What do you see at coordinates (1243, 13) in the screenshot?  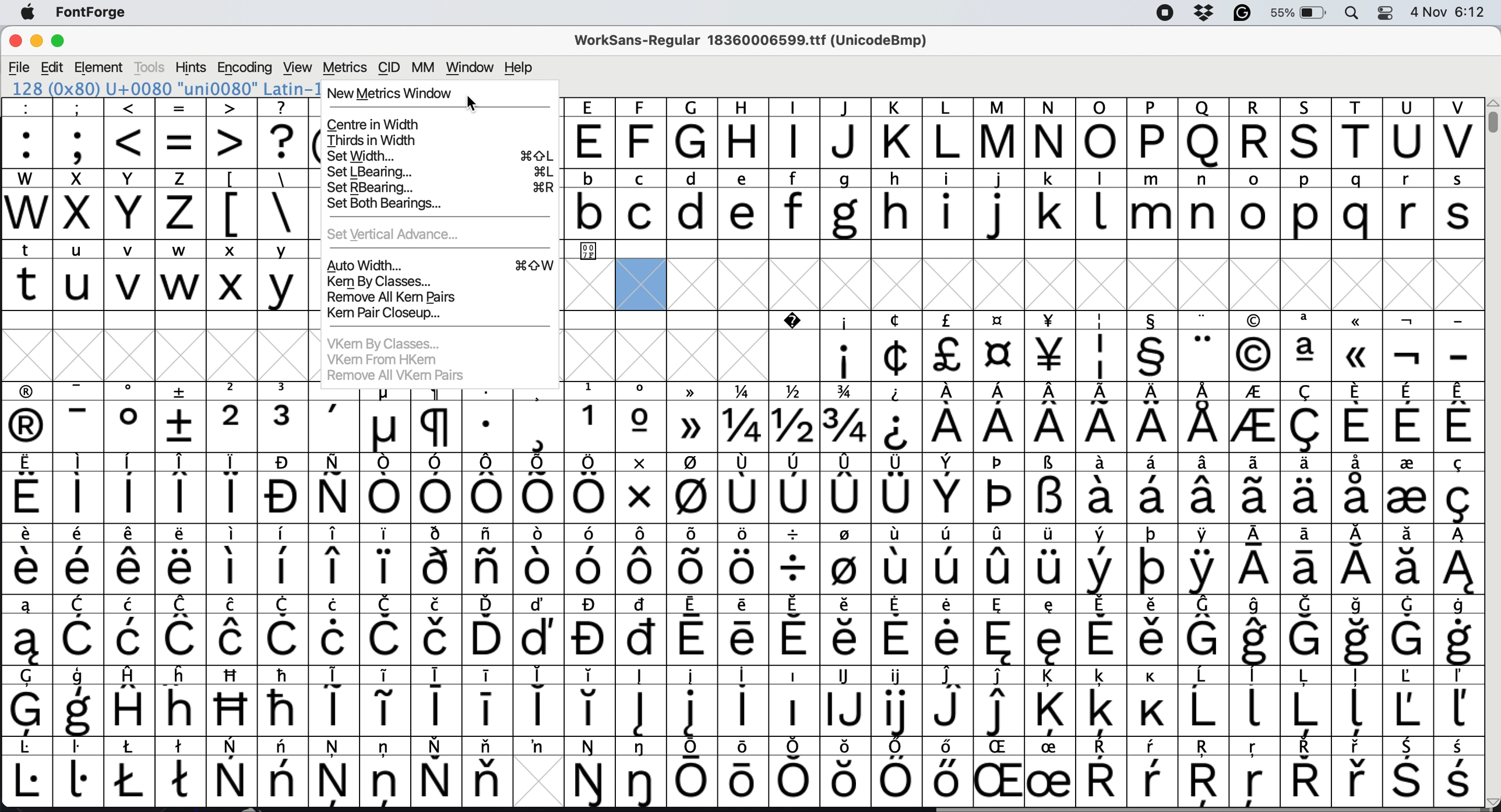 I see `grammarly` at bounding box center [1243, 13].